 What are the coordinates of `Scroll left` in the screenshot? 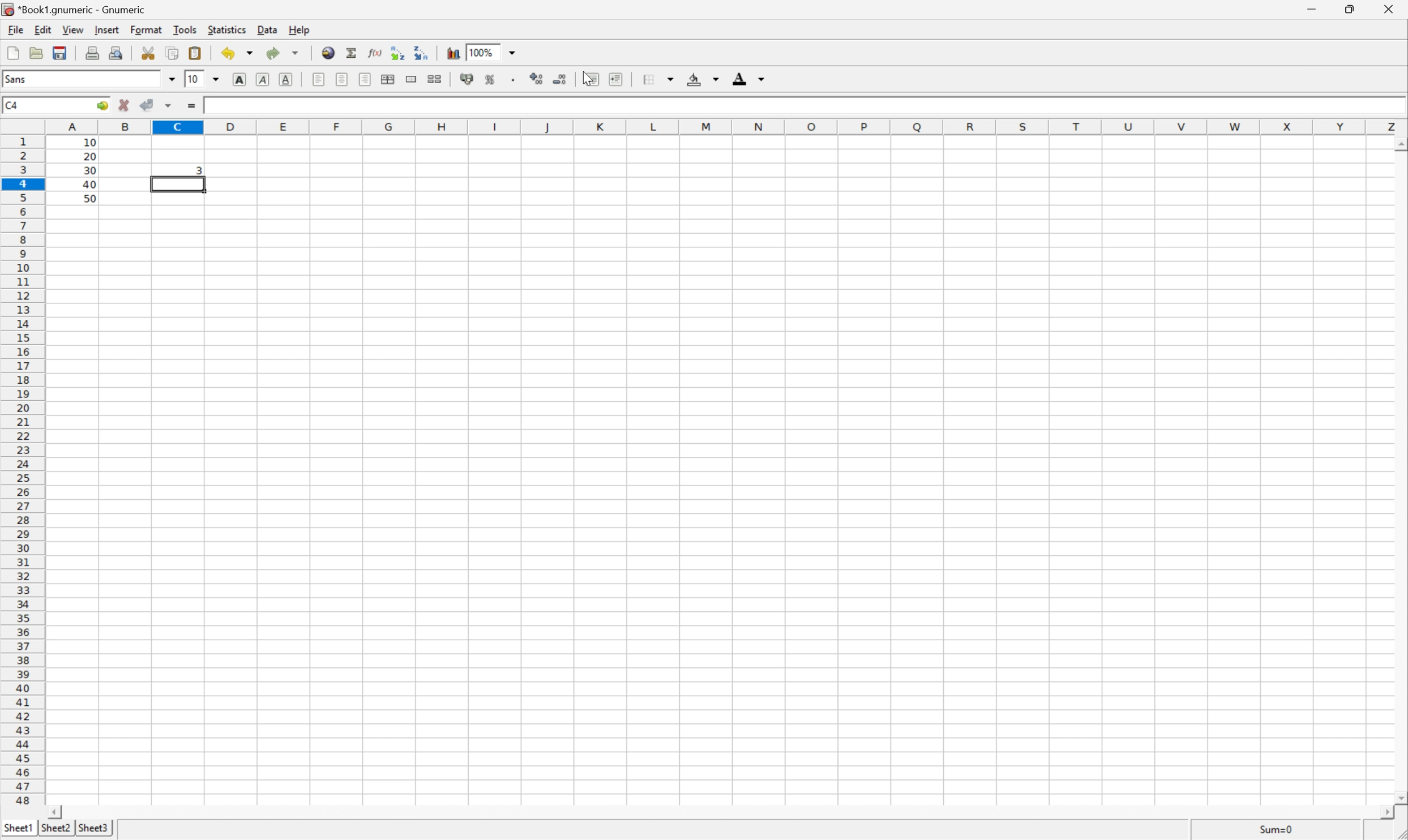 It's located at (58, 812).